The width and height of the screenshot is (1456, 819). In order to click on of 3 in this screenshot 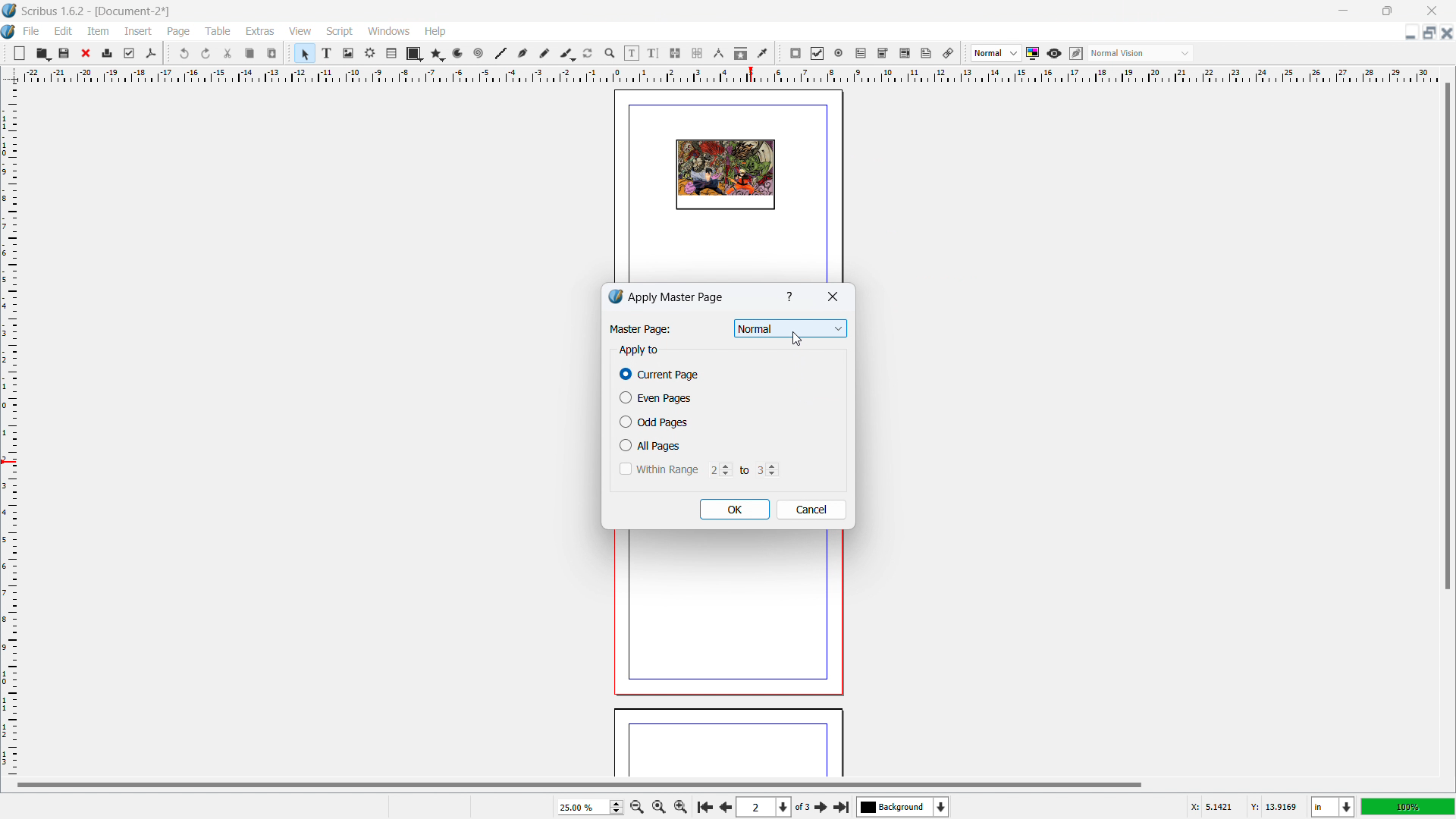, I will do `click(802, 808)`.